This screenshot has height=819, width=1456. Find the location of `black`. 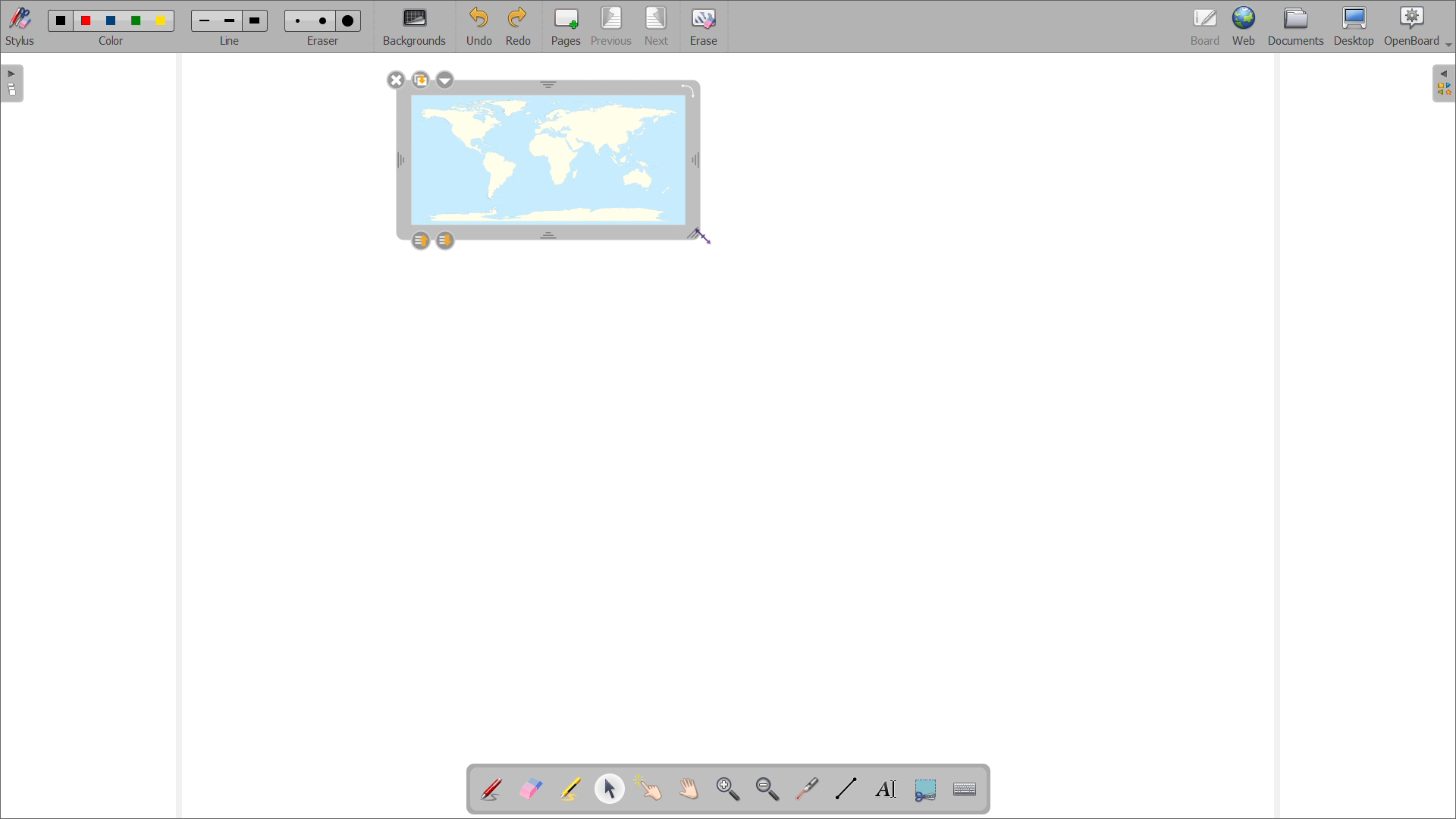

black is located at coordinates (61, 20).